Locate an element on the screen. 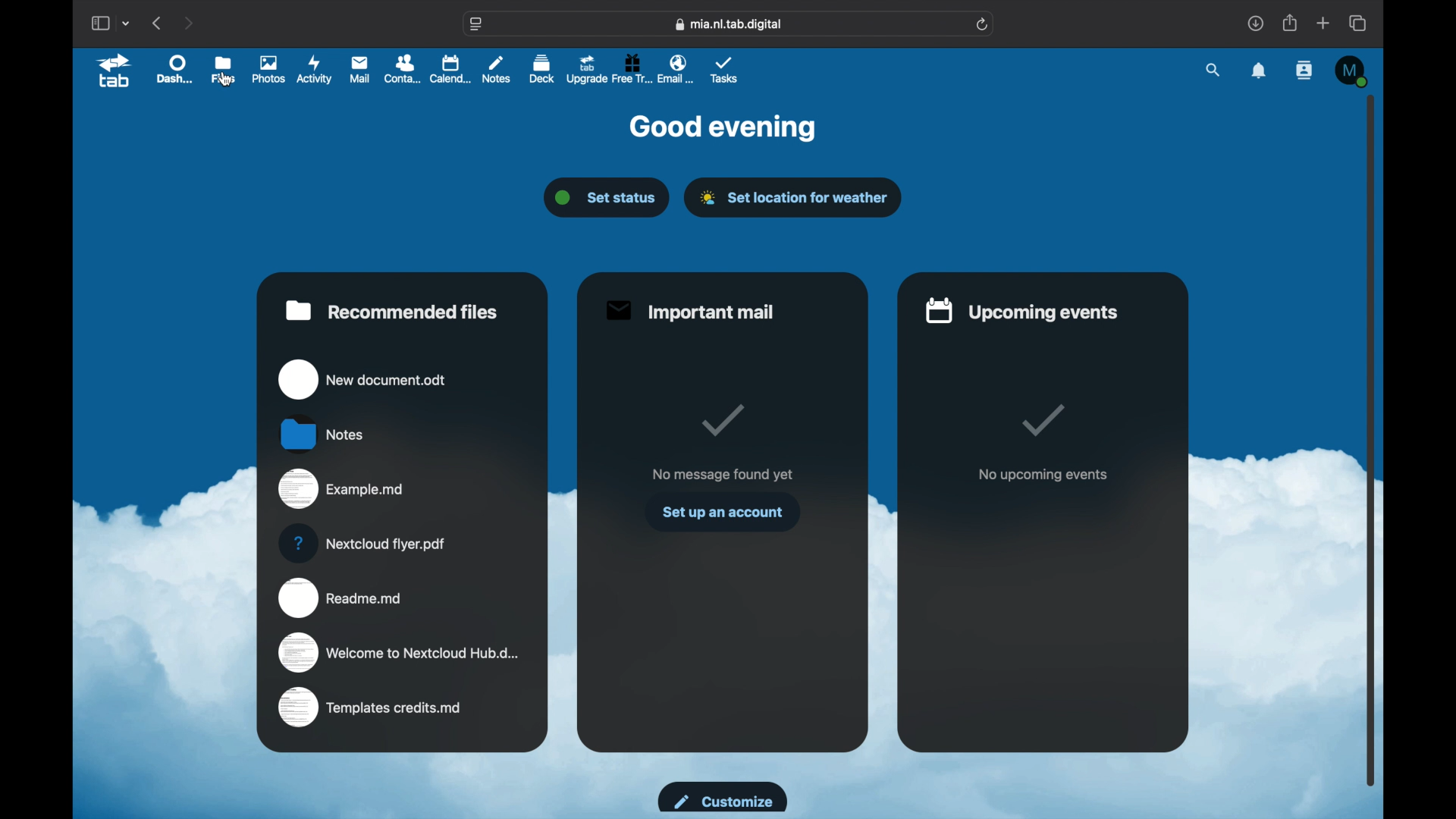 The image size is (1456, 819). files is located at coordinates (224, 70).